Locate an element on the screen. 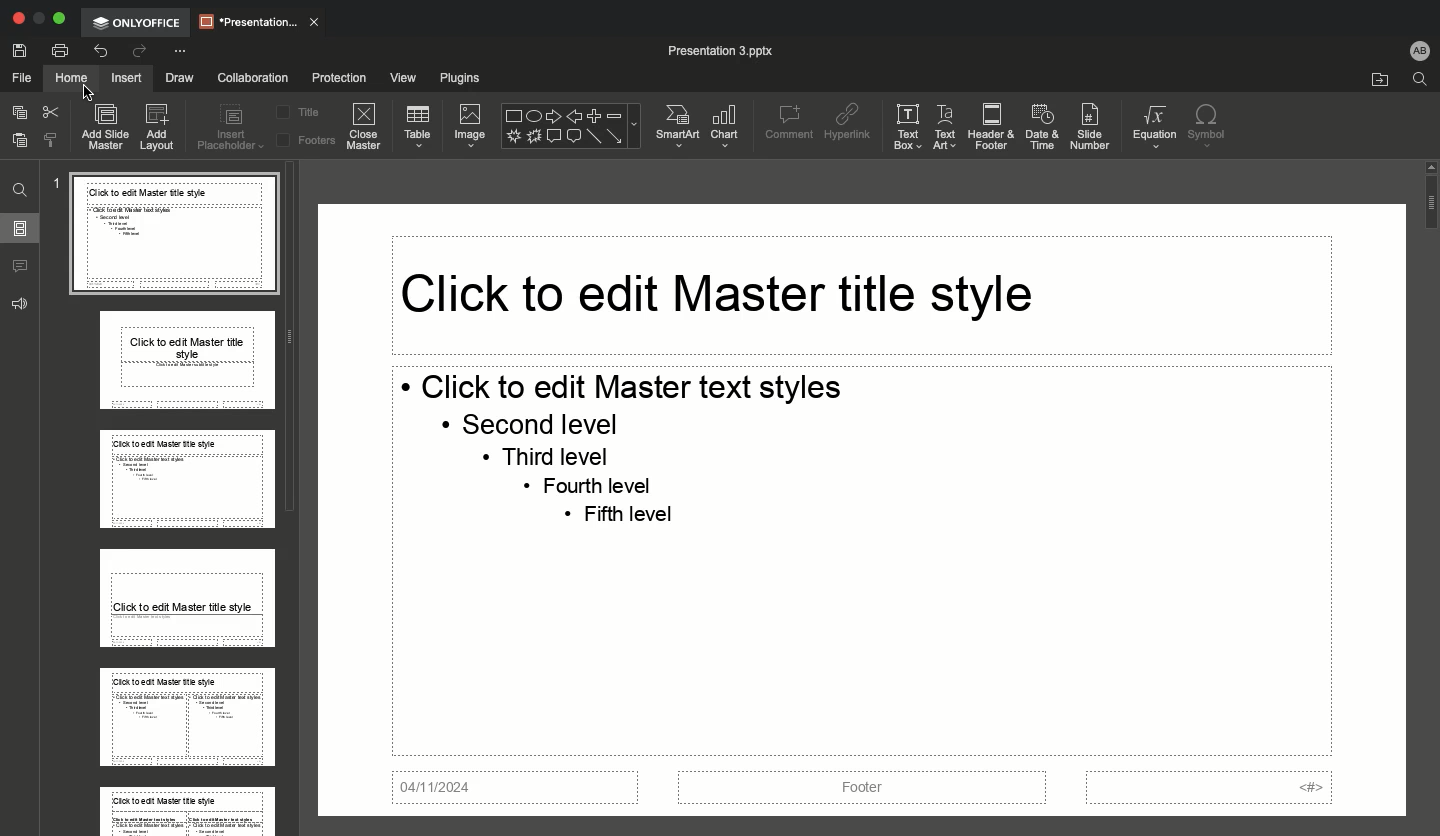  Add layout is located at coordinates (159, 128).